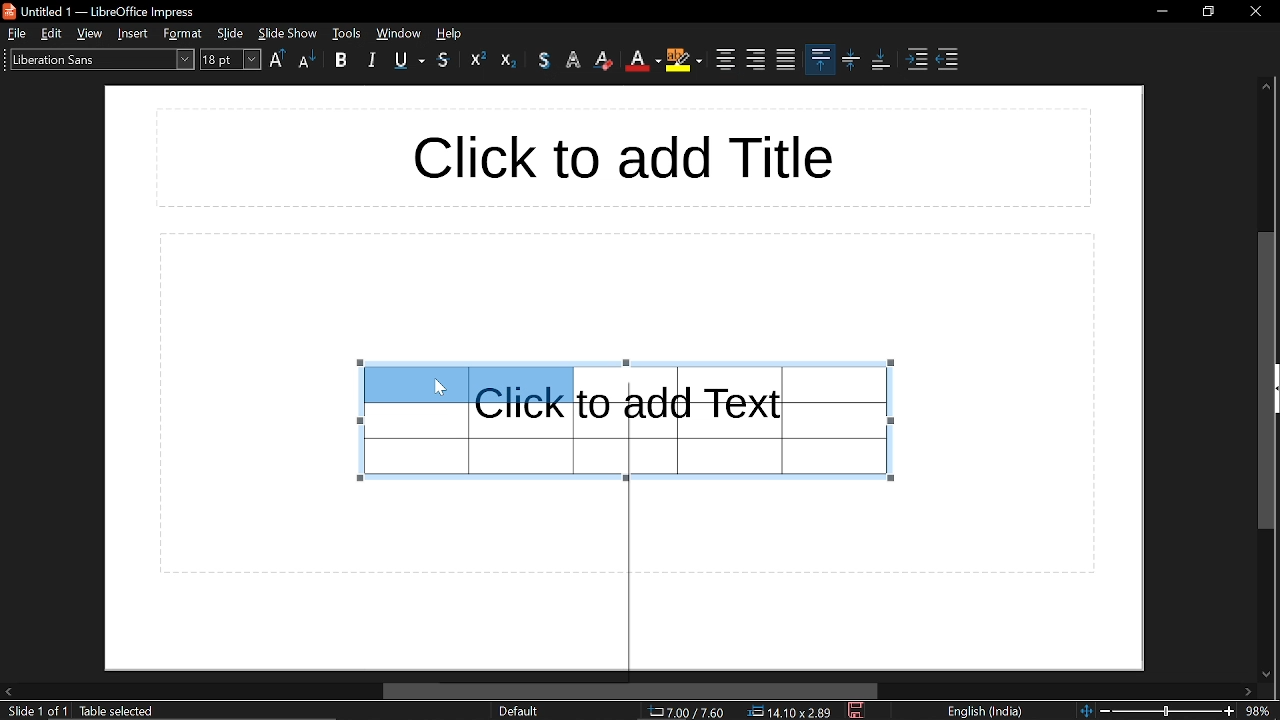 The height and width of the screenshot is (720, 1280). What do you see at coordinates (52, 33) in the screenshot?
I see `edit` at bounding box center [52, 33].